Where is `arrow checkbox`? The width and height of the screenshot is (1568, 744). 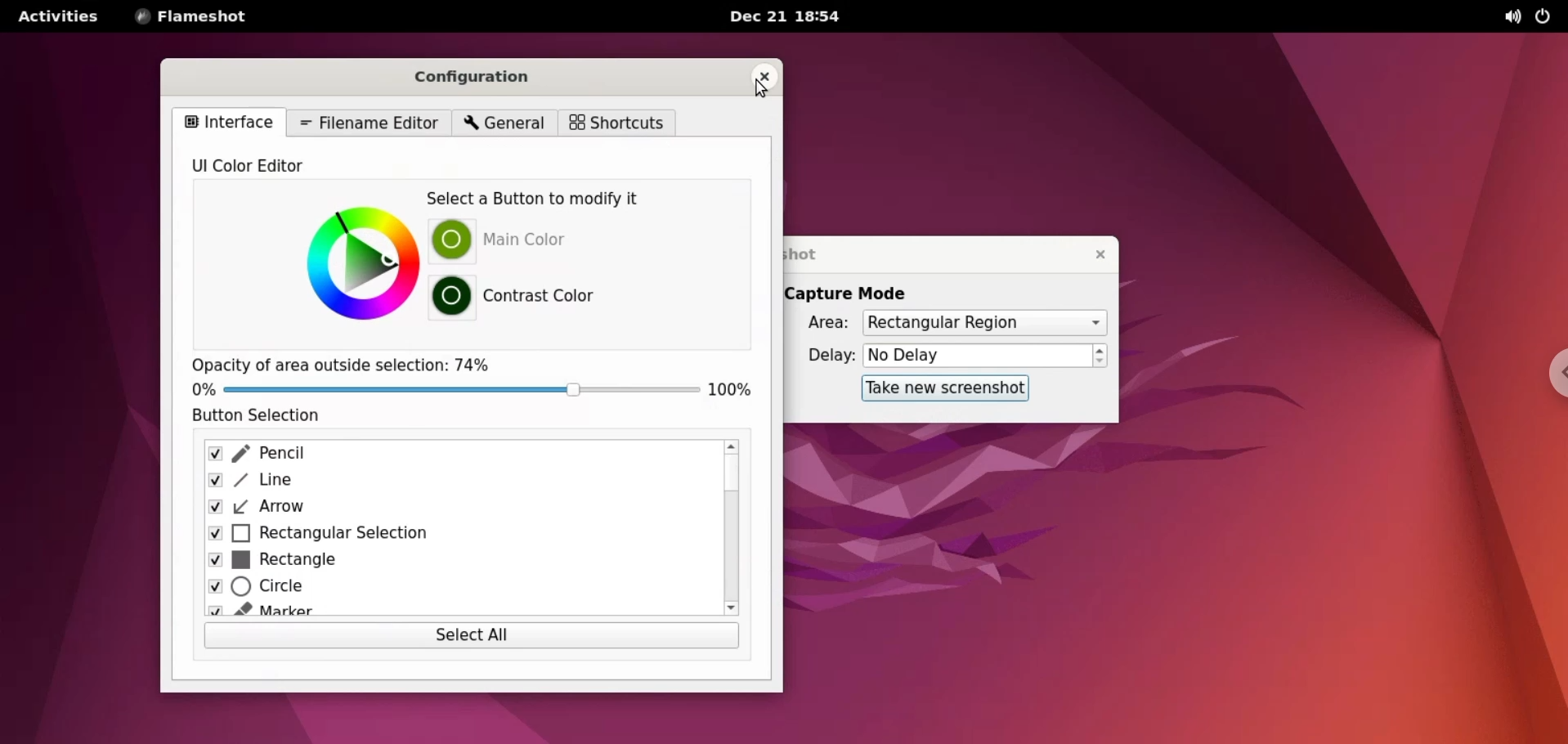 arrow checkbox is located at coordinates (450, 509).